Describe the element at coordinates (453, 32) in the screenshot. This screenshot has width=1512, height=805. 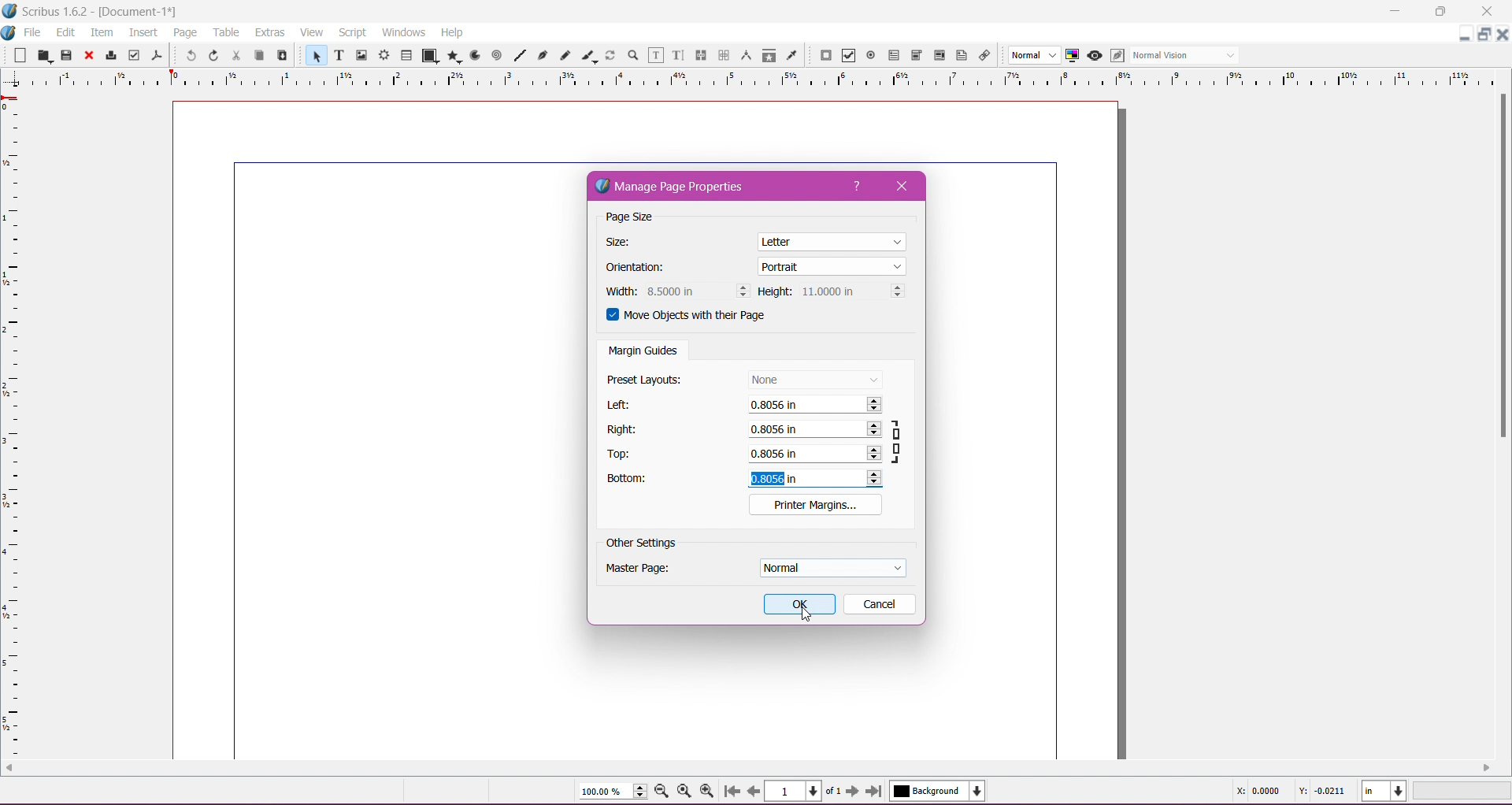
I see `Help` at that location.